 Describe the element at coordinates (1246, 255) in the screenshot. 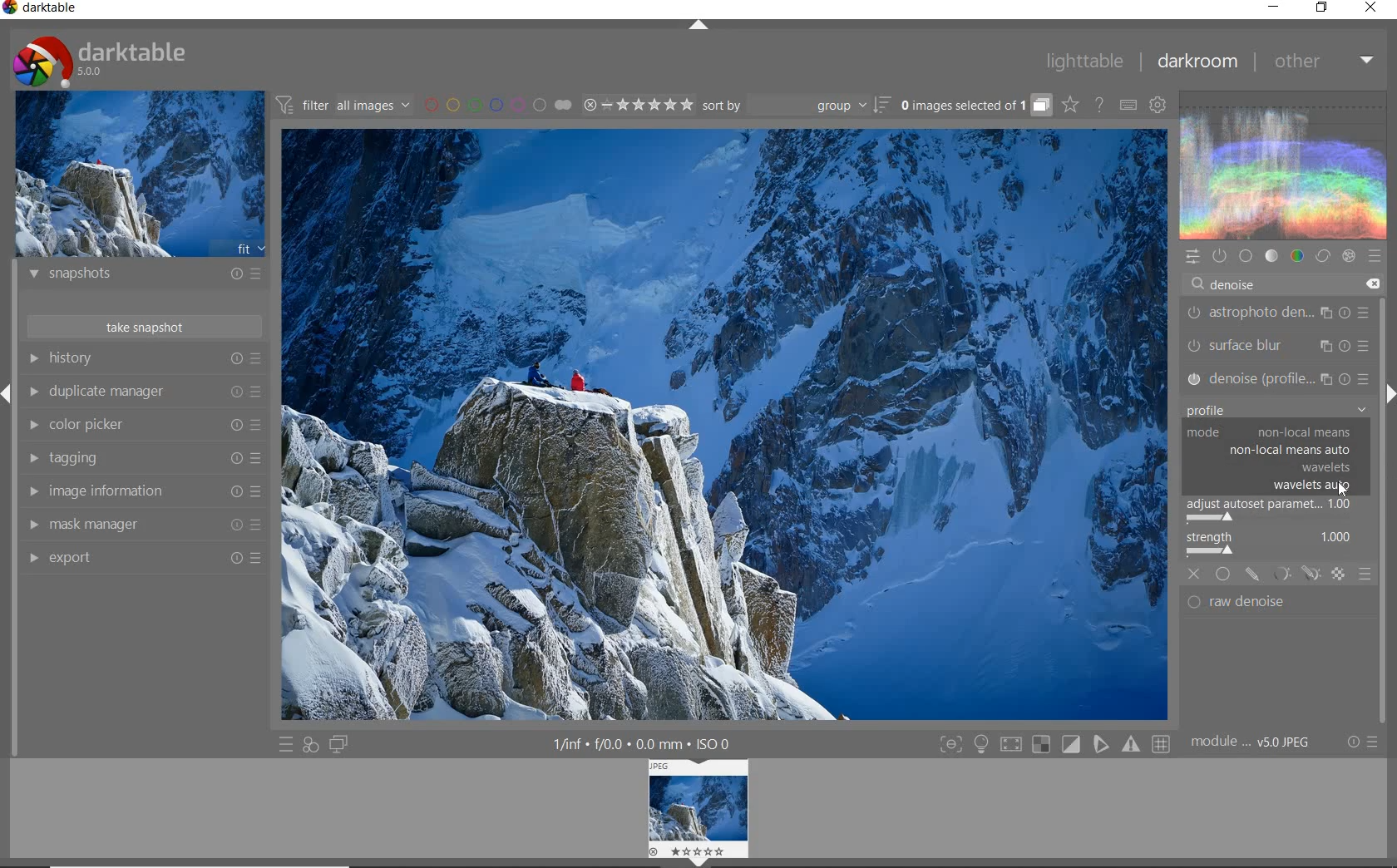

I see `base` at that location.